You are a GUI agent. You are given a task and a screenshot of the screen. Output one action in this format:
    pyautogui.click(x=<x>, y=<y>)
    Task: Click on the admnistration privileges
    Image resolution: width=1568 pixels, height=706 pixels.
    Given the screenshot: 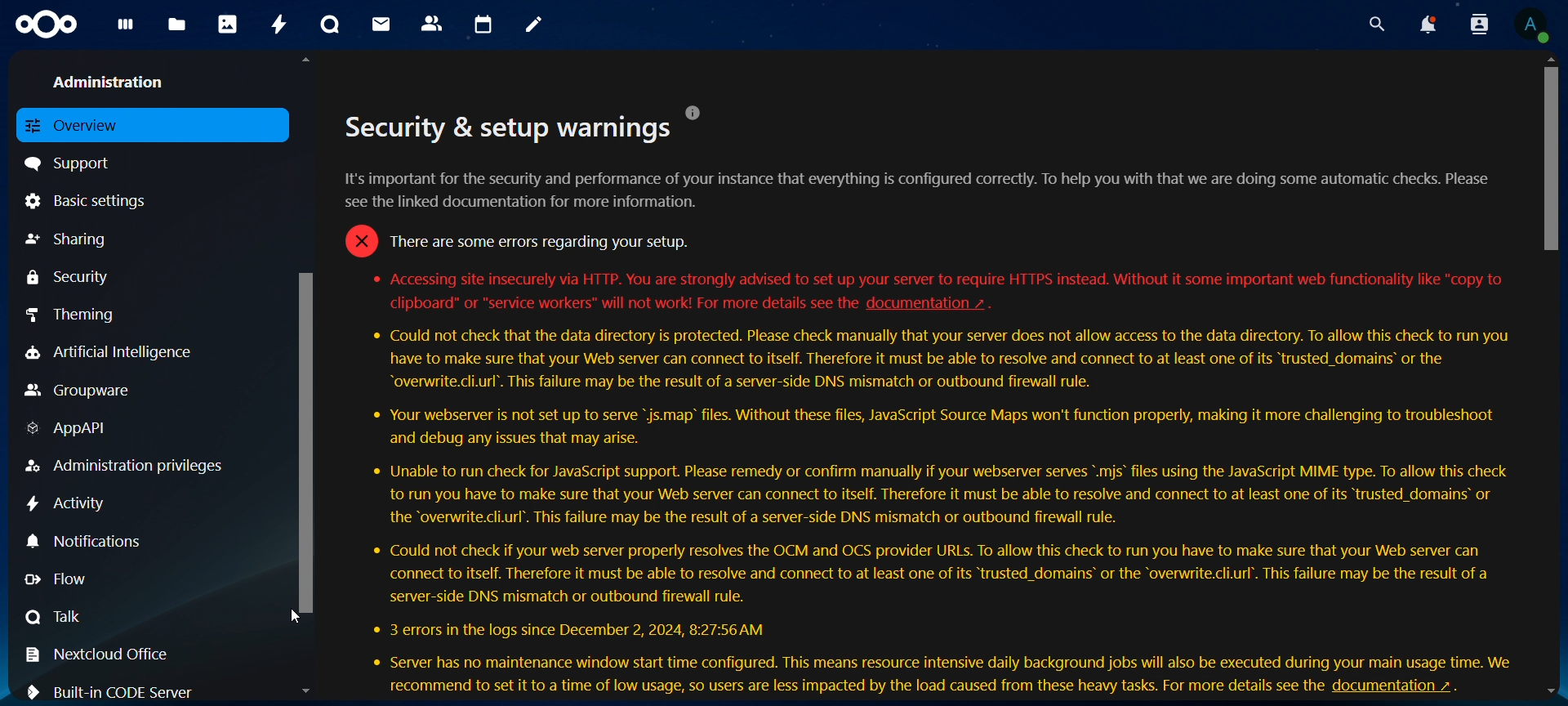 What is the action you would take?
    pyautogui.click(x=127, y=466)
    